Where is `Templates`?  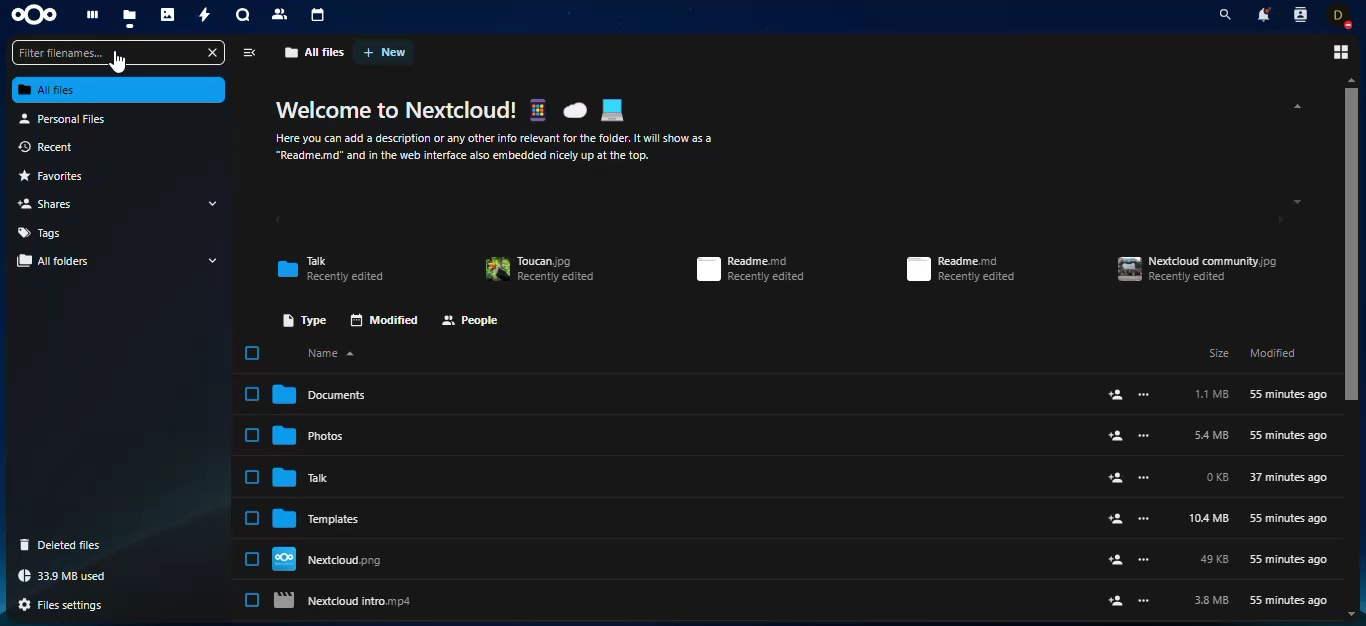
Templates is located at coordinates (683, 517).